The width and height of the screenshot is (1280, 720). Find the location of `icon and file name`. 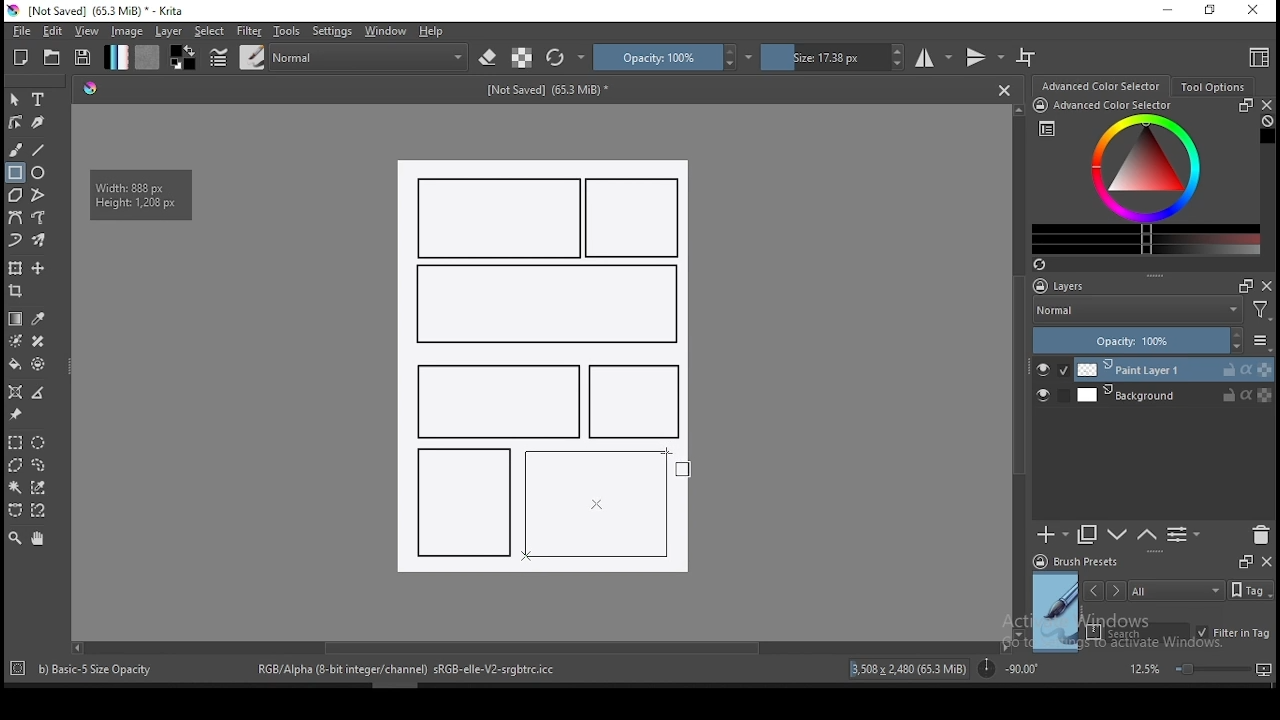

icon and file name is located at coordinates (99, 11).